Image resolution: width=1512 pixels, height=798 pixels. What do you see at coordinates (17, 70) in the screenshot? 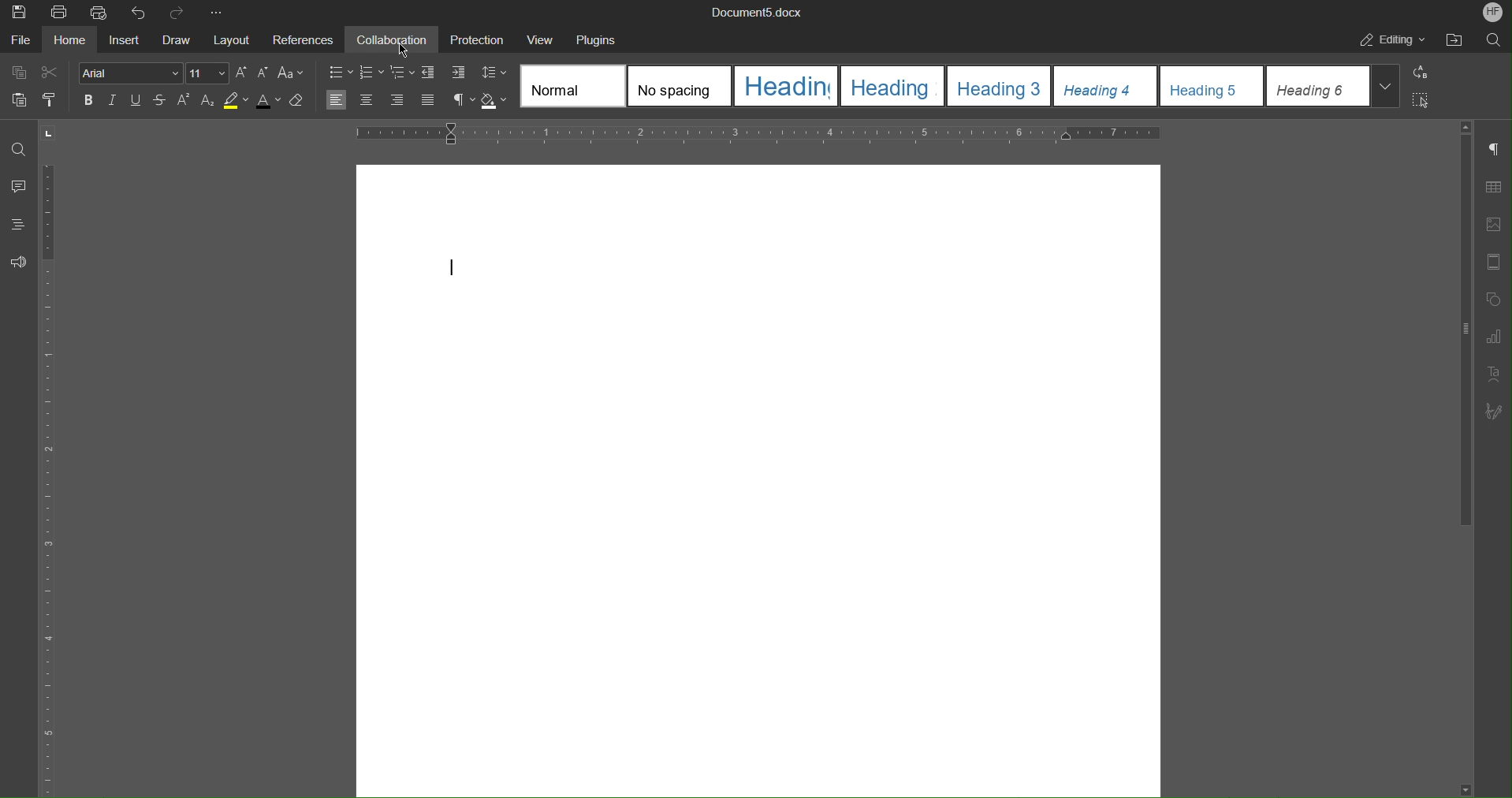
I see `Copy` at bounding box center [17, 70].